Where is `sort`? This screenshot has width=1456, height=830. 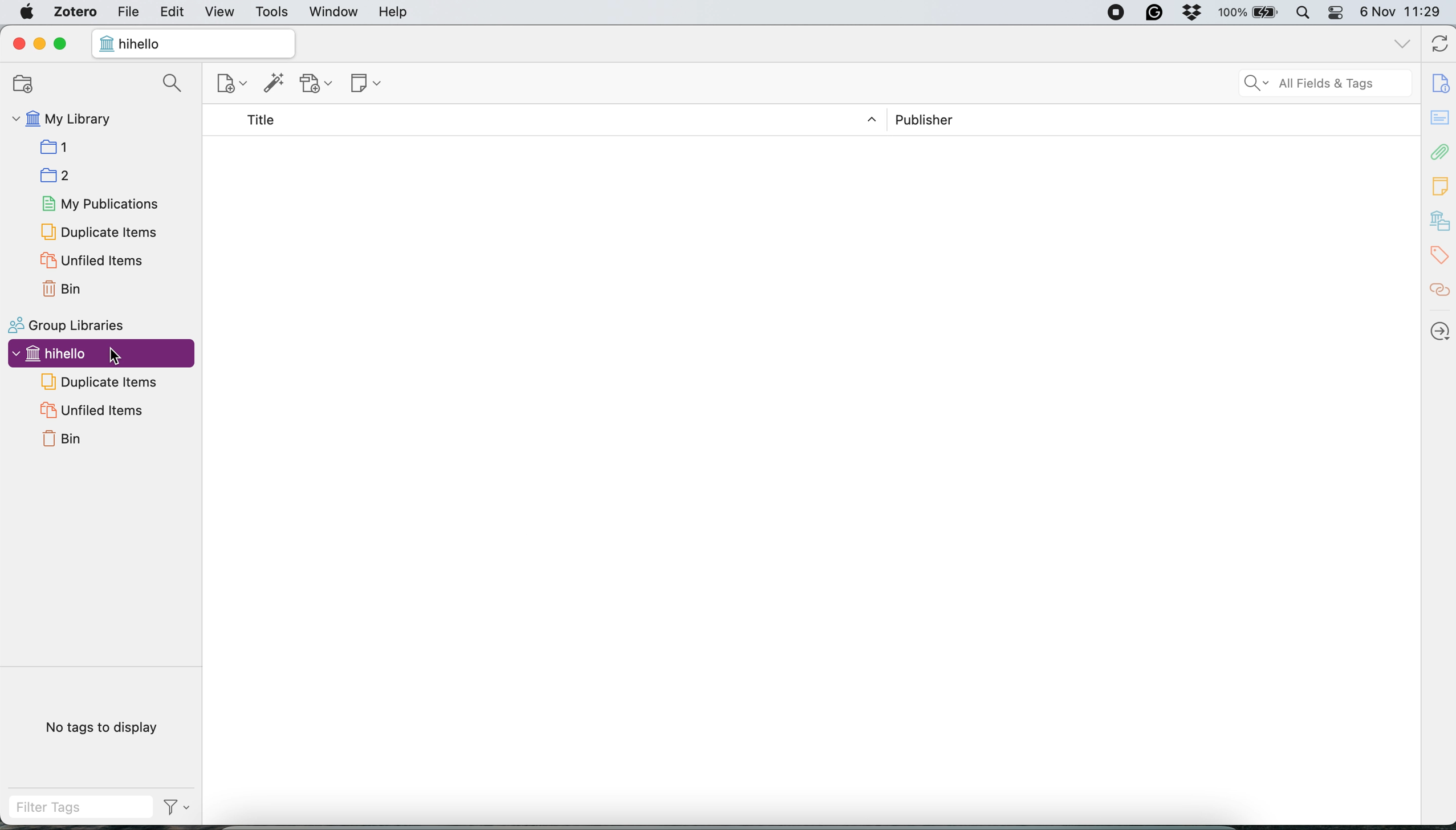 sort is located at coordinates (871, 120).